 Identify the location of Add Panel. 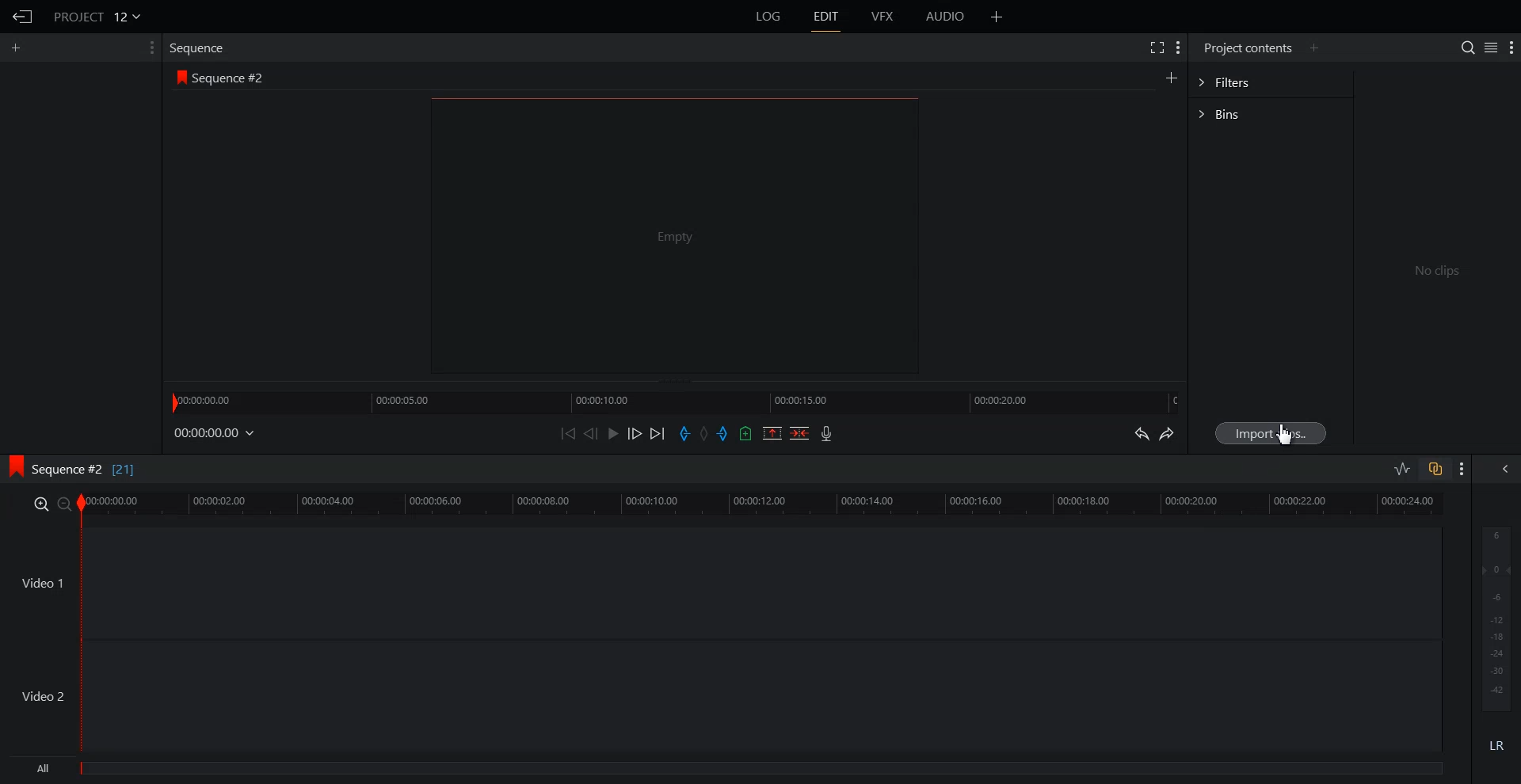
(997, 17).